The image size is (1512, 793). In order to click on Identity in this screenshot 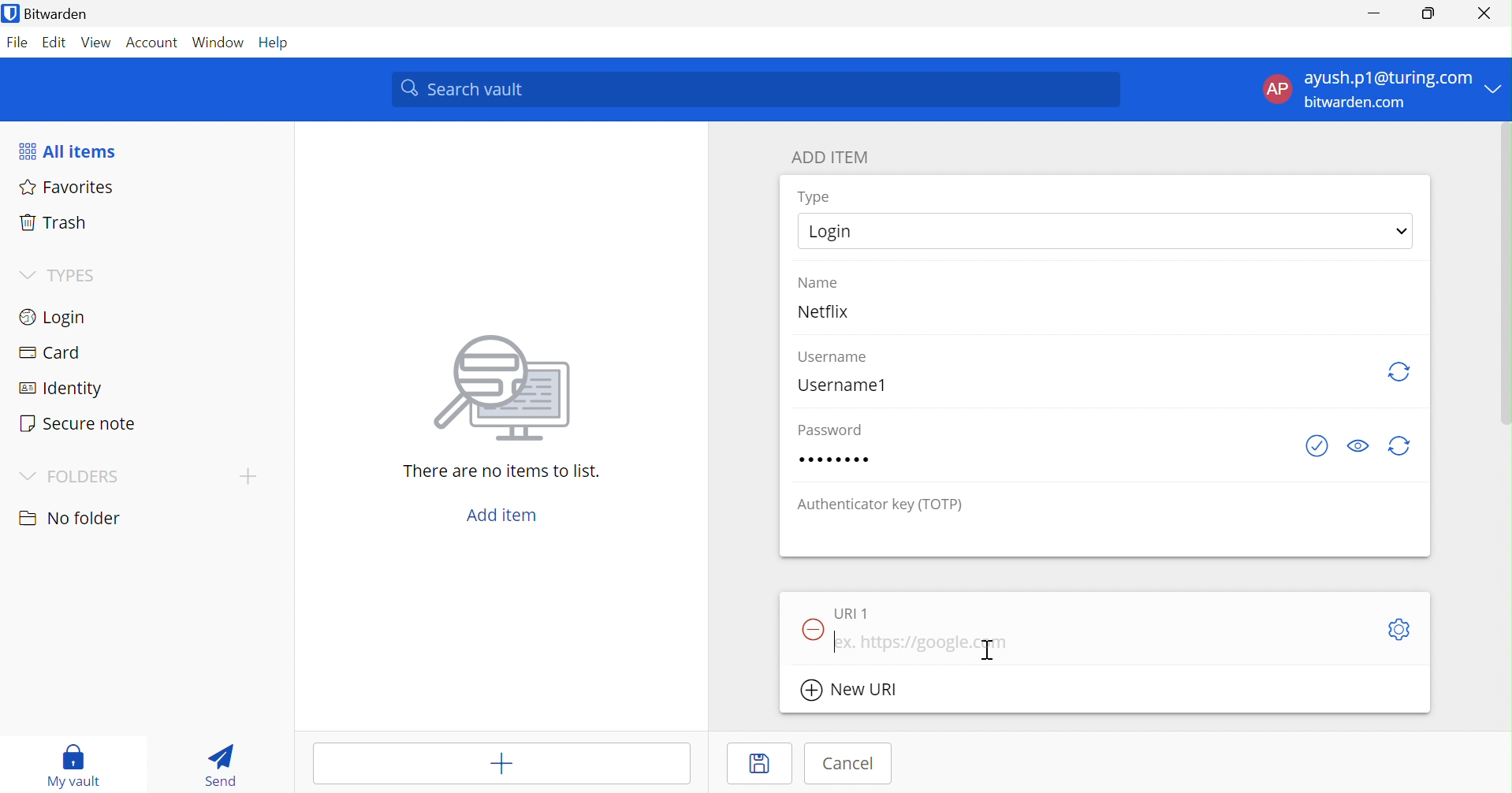, I will do `click(57, 387)`.